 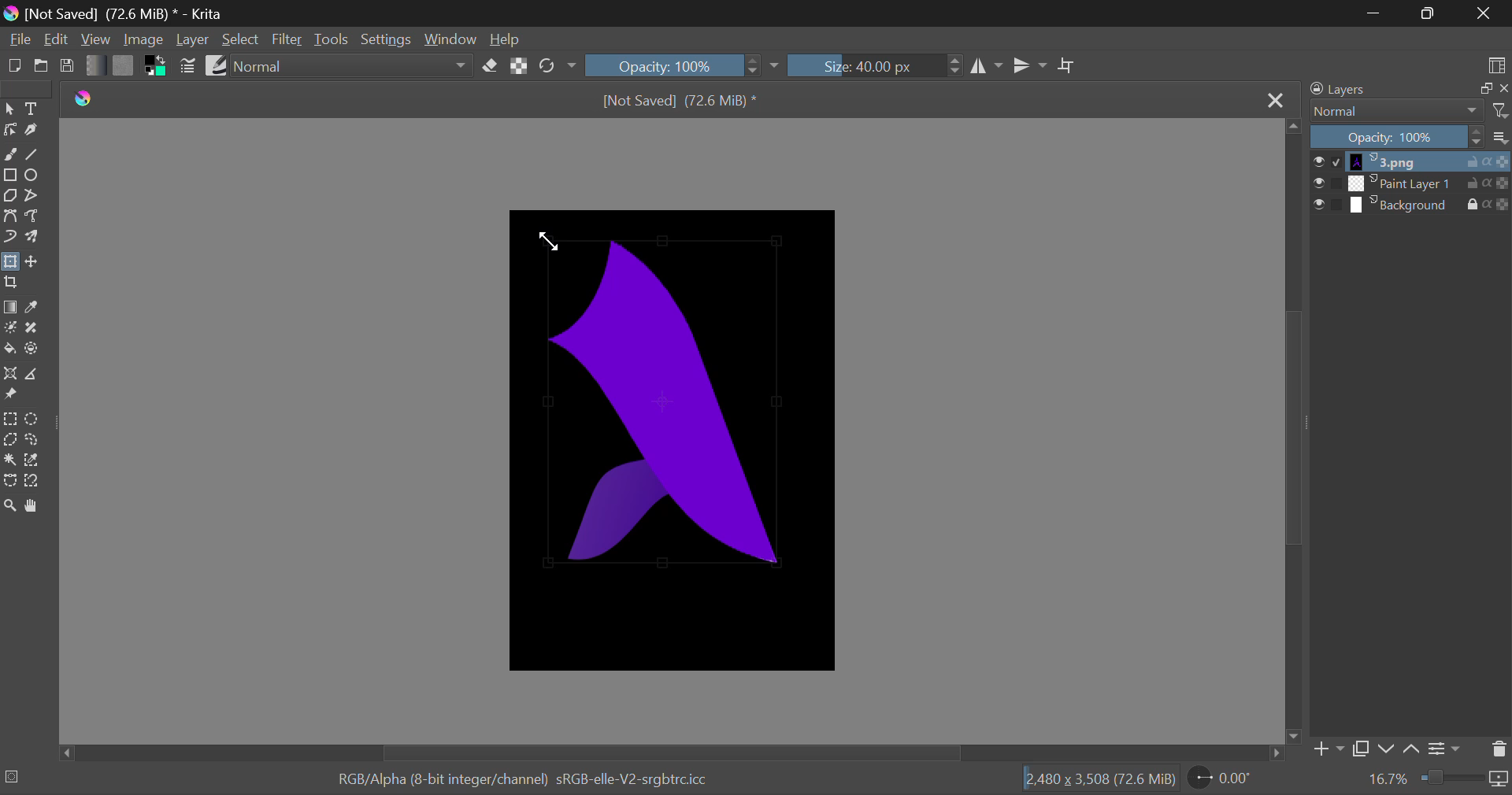 I want to click on Restore Down, so click(x=1376, y=14).